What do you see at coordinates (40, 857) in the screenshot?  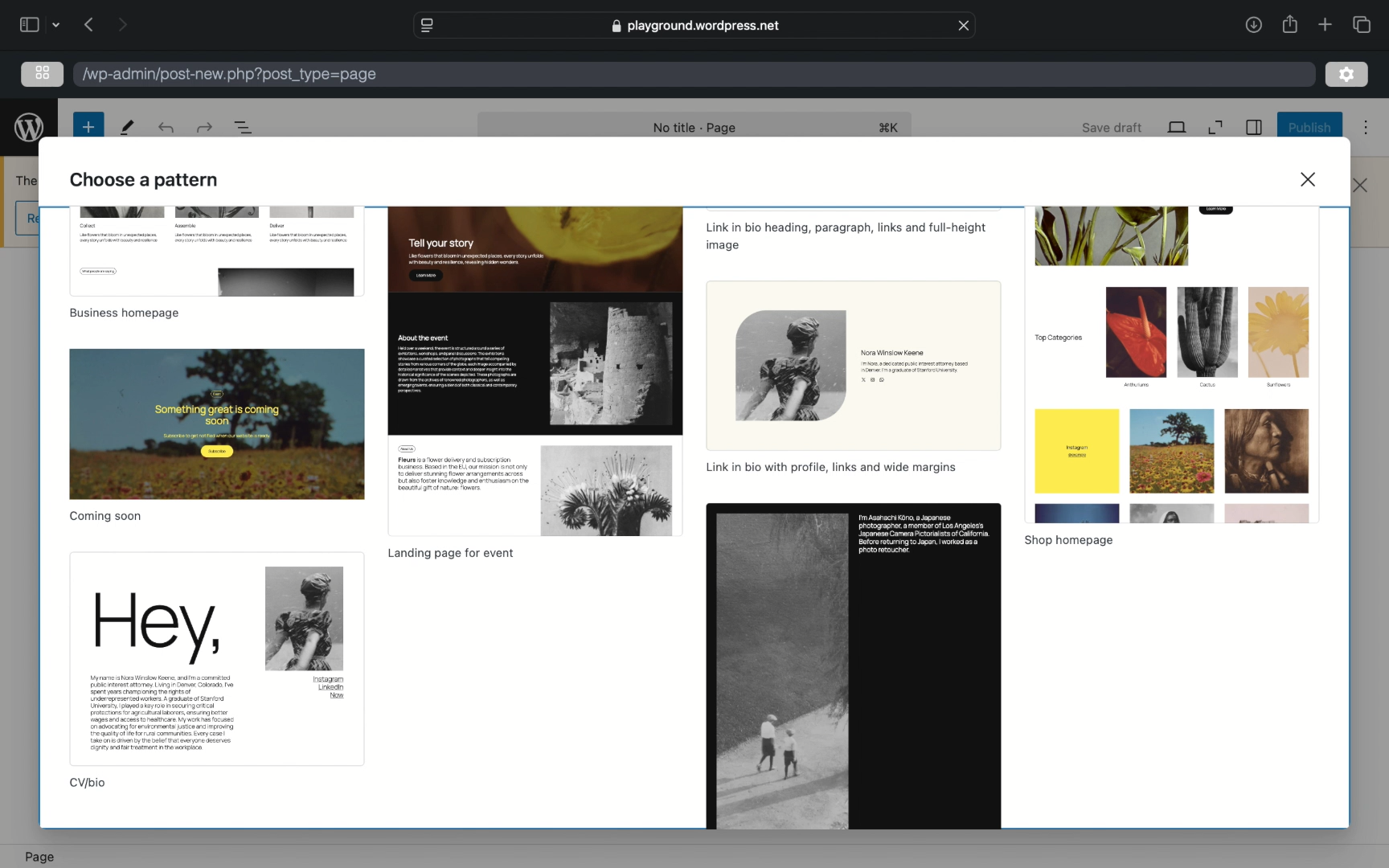 I see `page` at bounding box center [40, 857].